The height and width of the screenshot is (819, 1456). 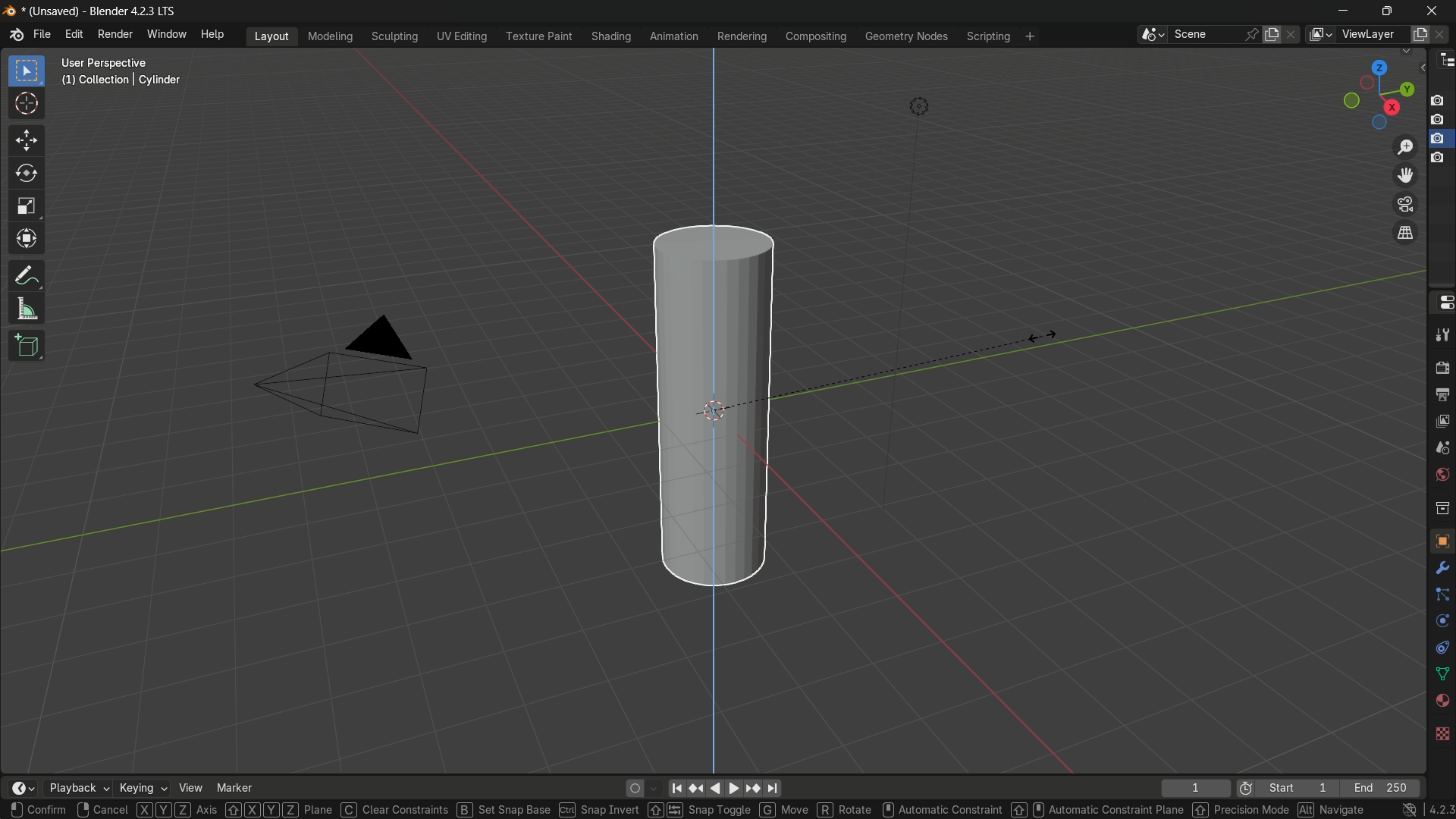 I want to click on 4.2.3, so click(x=1441, y=810).